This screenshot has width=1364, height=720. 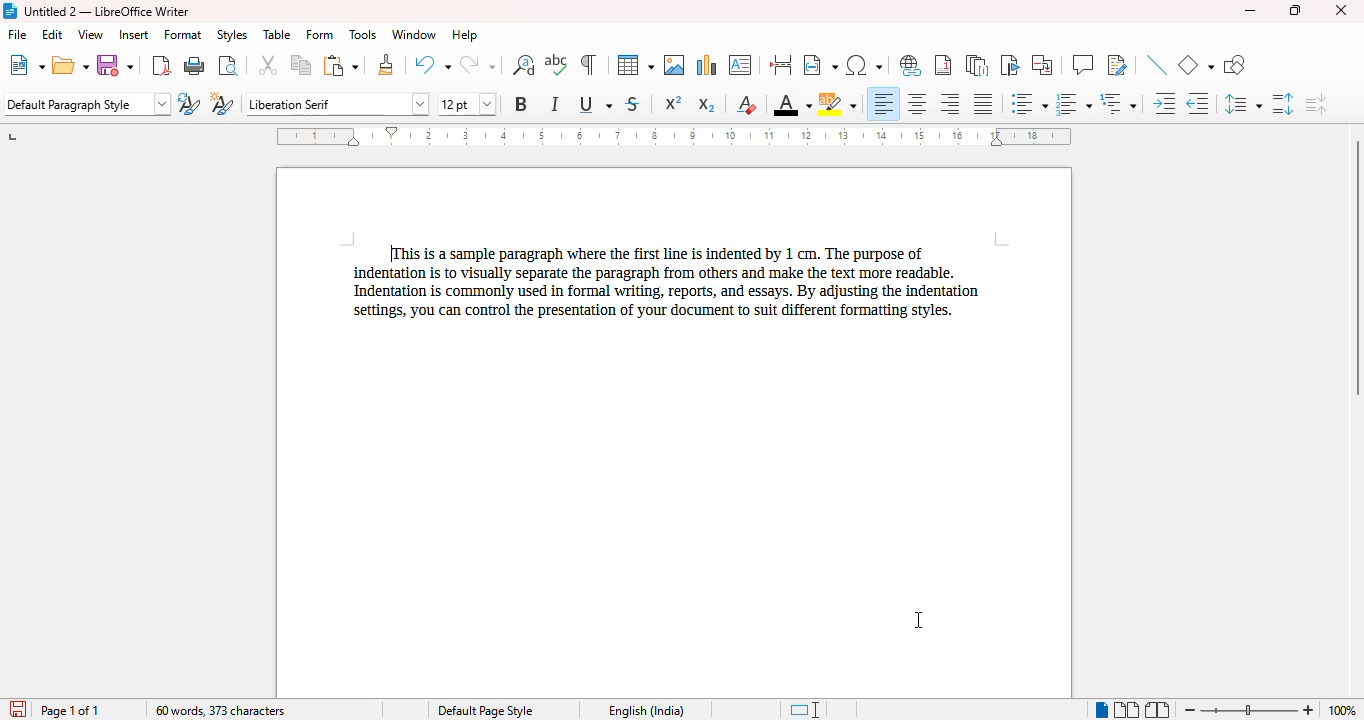 What do you see at coordinates (189, 103) in the screenshot?
I see `update selected style` at bounding box center [189, 103].